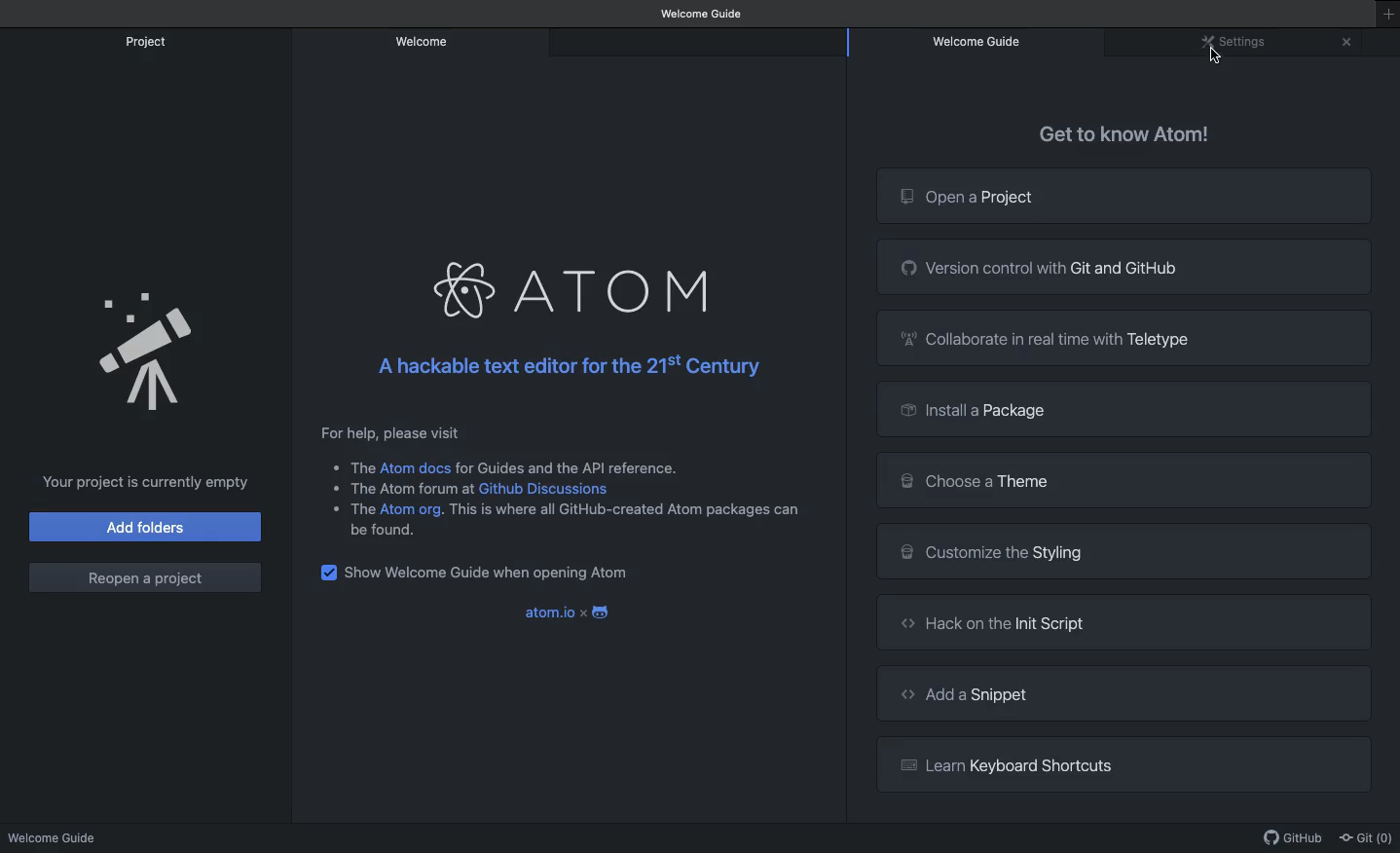  Describe the element at coordinates (1121, 409) in the screenshot. I see `Install a package` at that location.